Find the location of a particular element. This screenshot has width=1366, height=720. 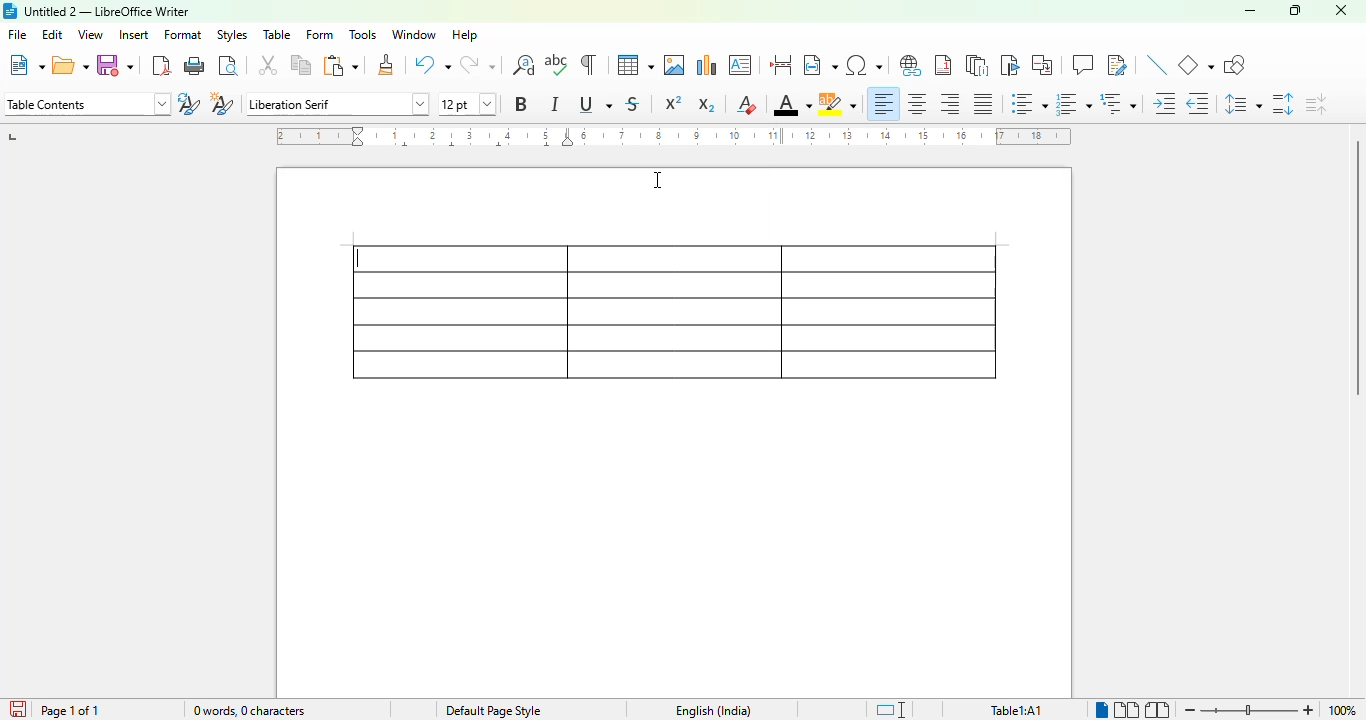

book view is located at coordinates (1158, 711).